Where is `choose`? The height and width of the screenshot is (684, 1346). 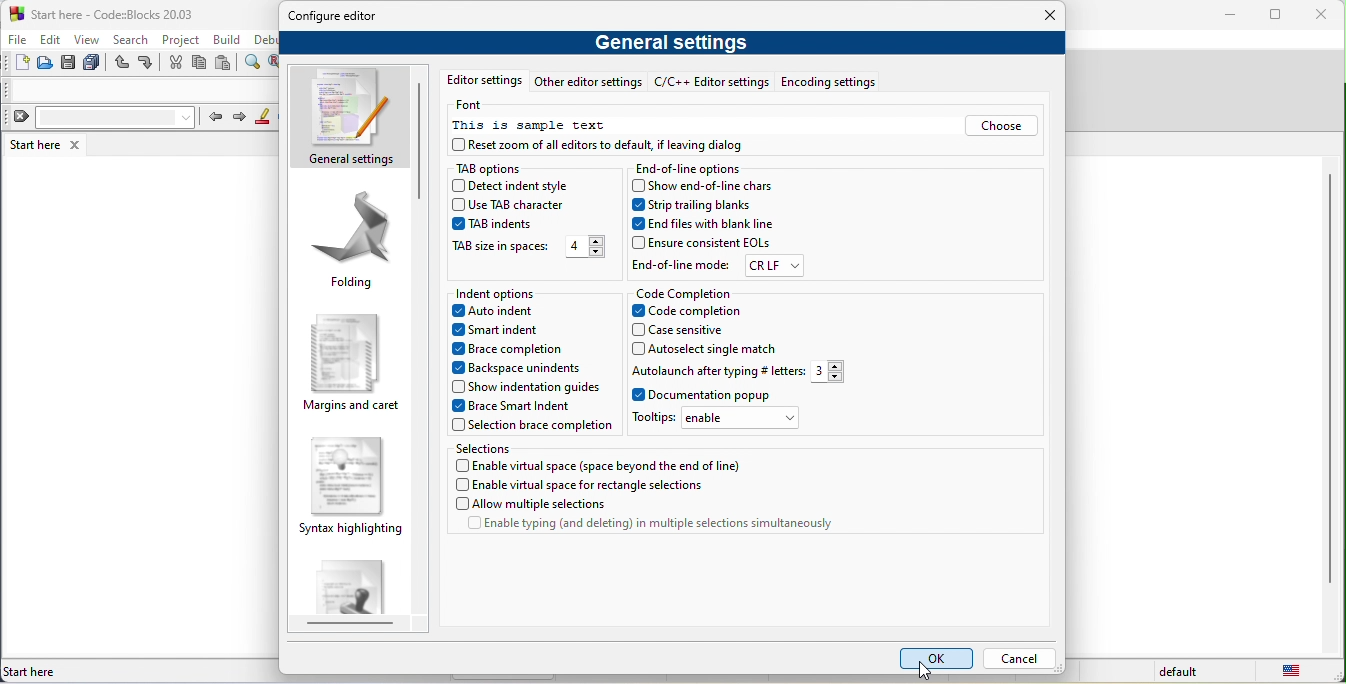 choose is located at coordinates (1002, 127).